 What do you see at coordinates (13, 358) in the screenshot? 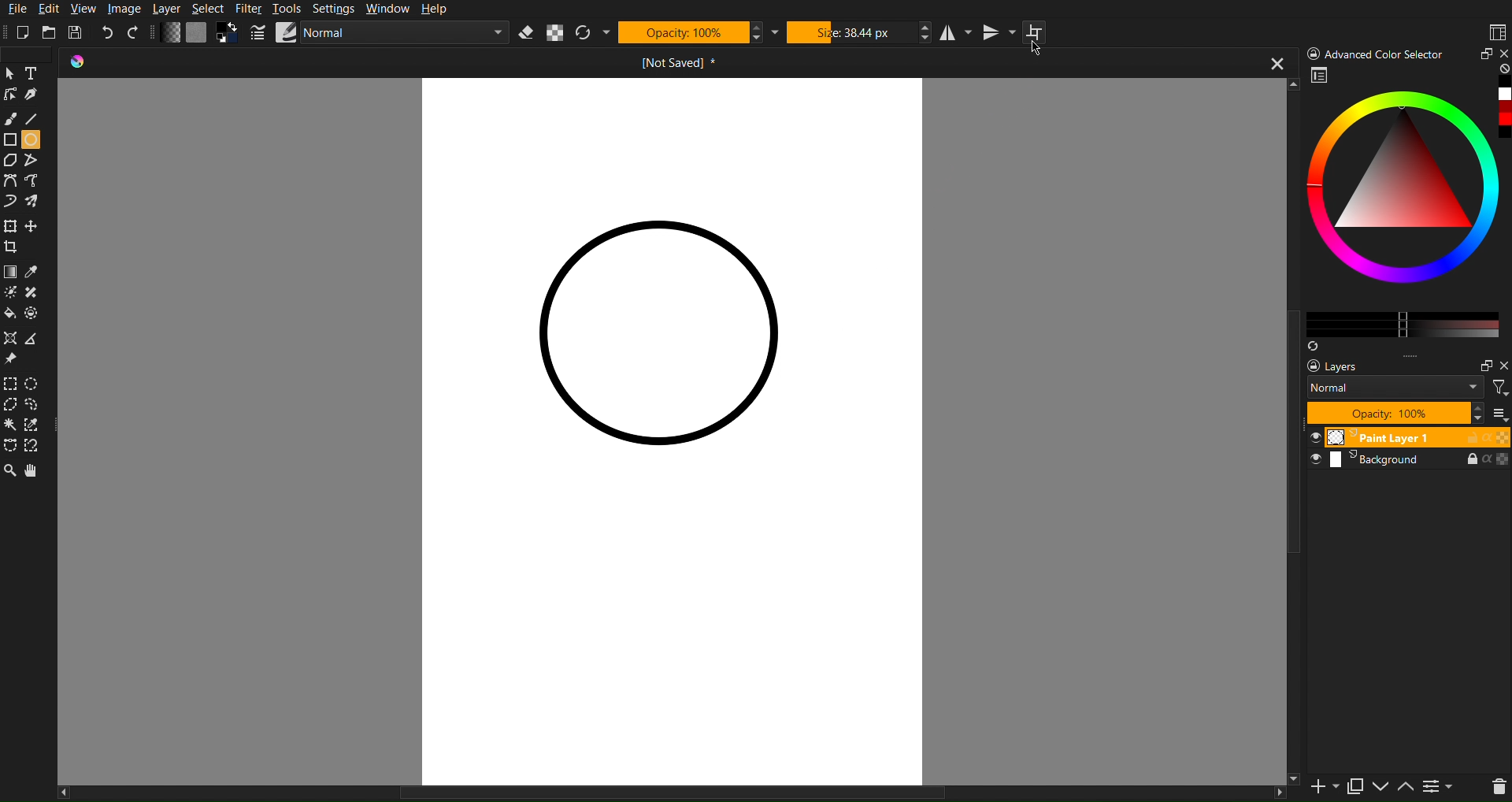
I see `Pin` at bounding box center [13, 358].